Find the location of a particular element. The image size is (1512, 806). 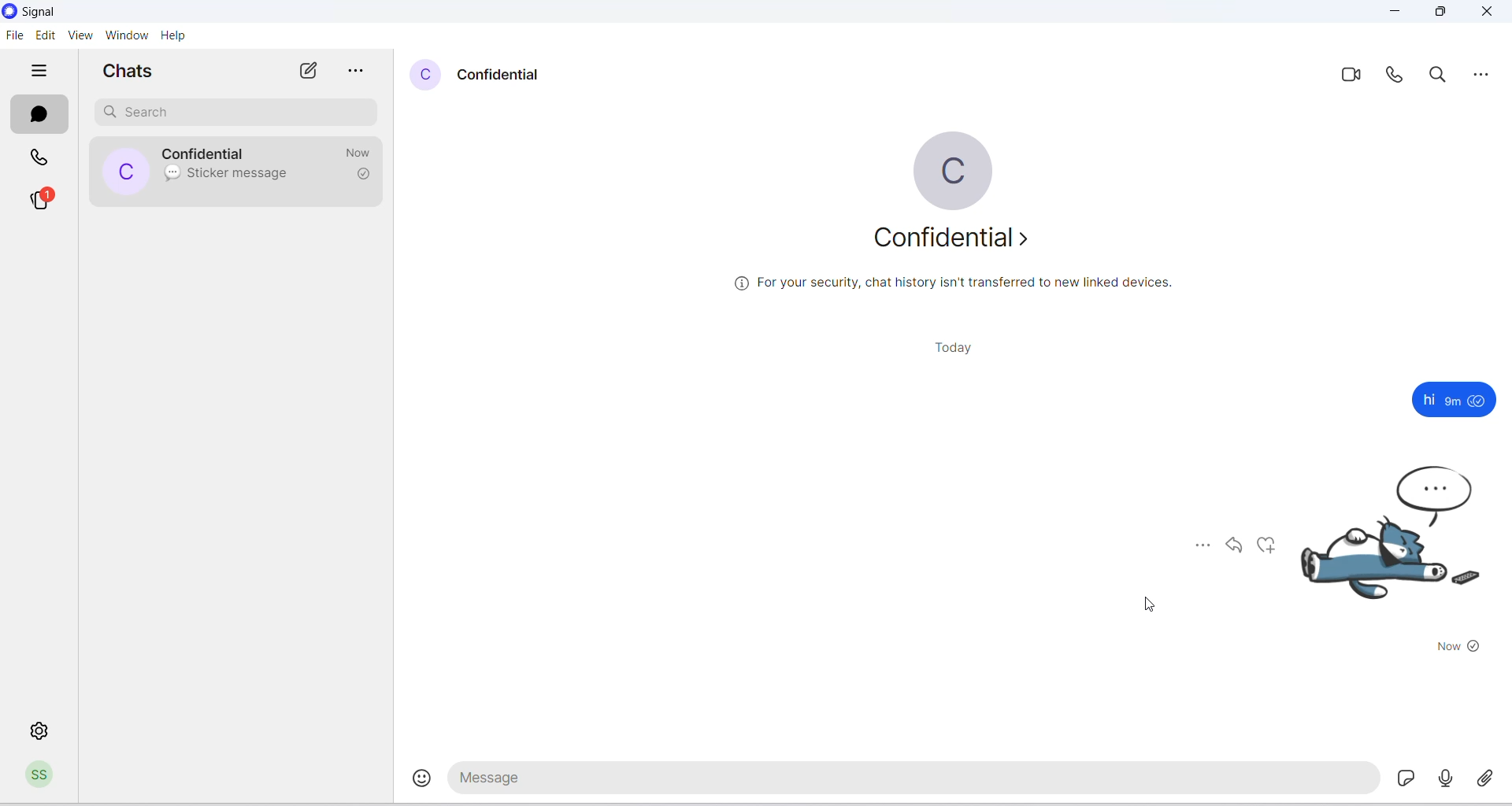

chats heading is located at coordinates (133, 72).